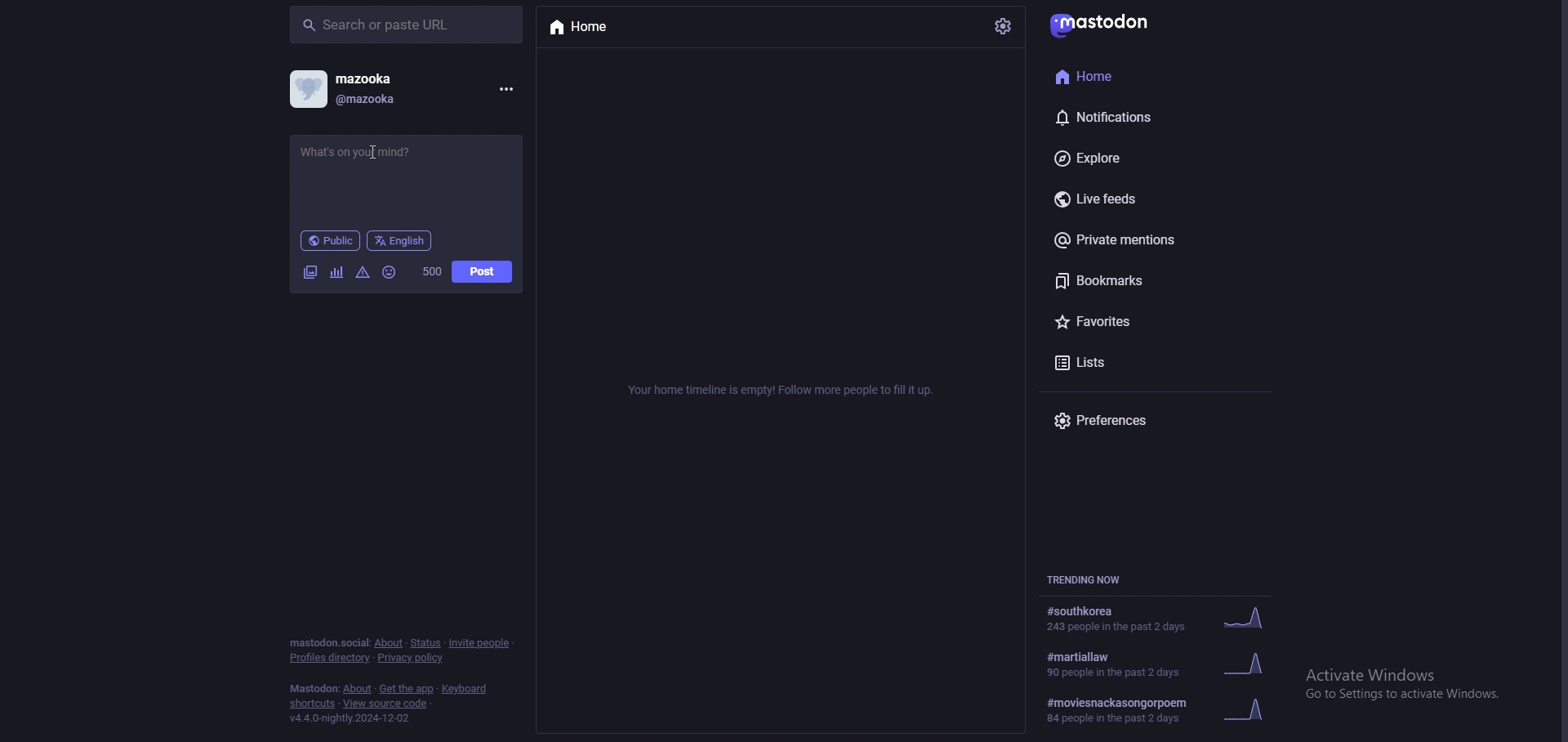 Image resolution: width=1568 pixels, height=742 pixels. Describe the element at coordinates (1139, 199) in the screenshot. I see `live feeds` at that location.